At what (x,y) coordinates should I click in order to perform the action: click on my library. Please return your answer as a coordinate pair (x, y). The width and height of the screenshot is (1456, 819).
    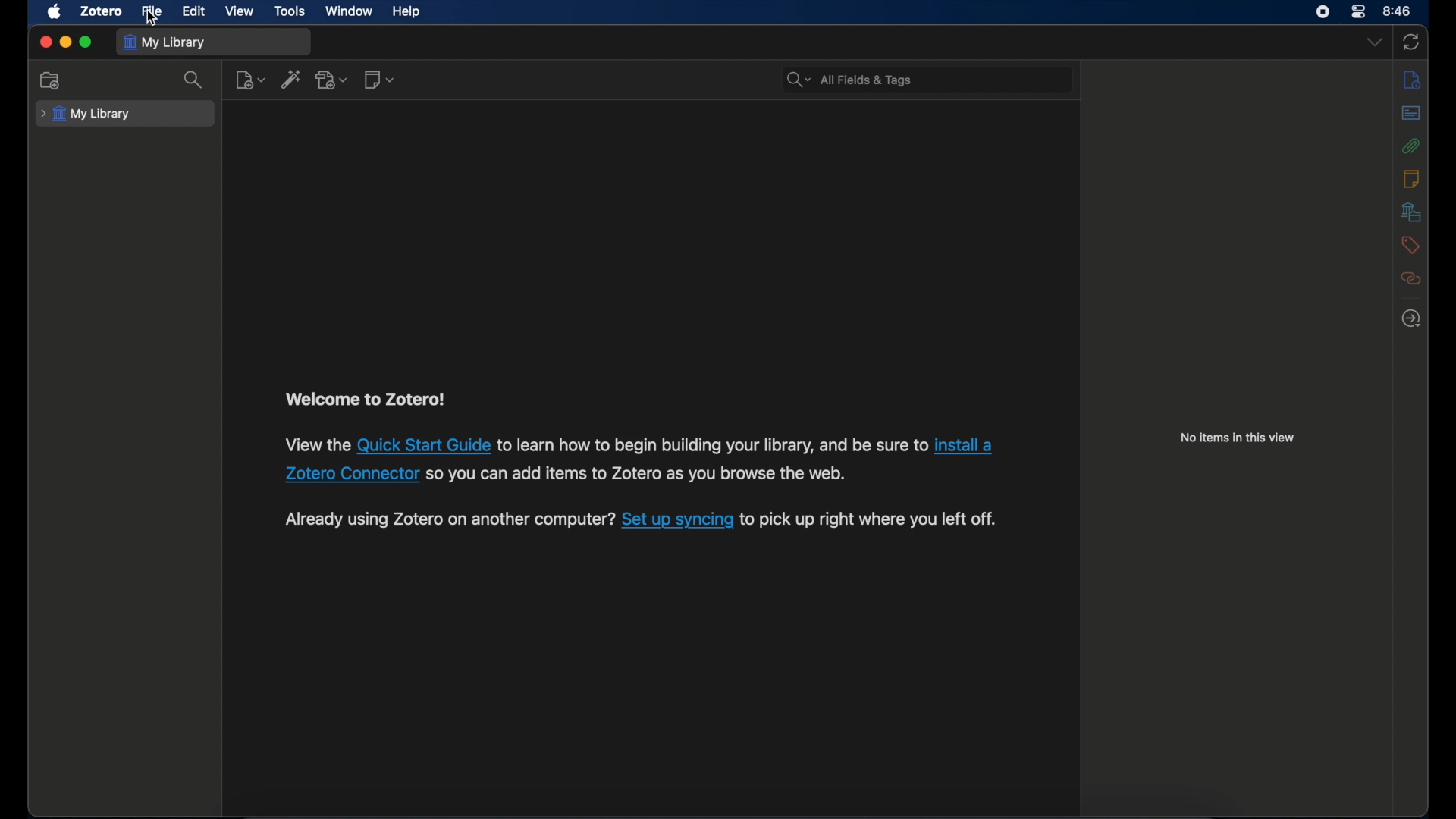
    Looking at the image, I should click on (165, 43).